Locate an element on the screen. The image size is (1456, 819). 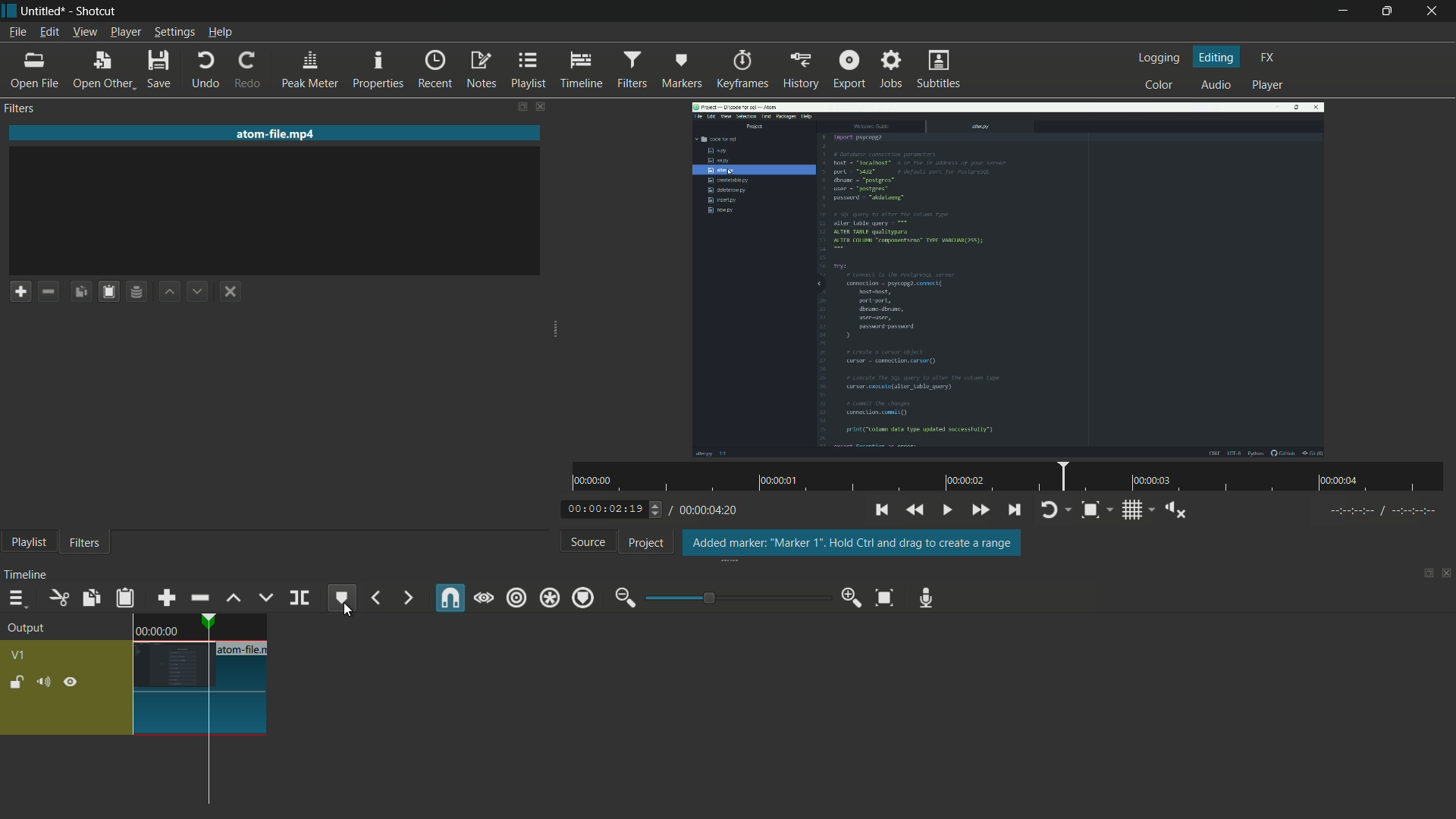
project is located at coordinates (647, 542).